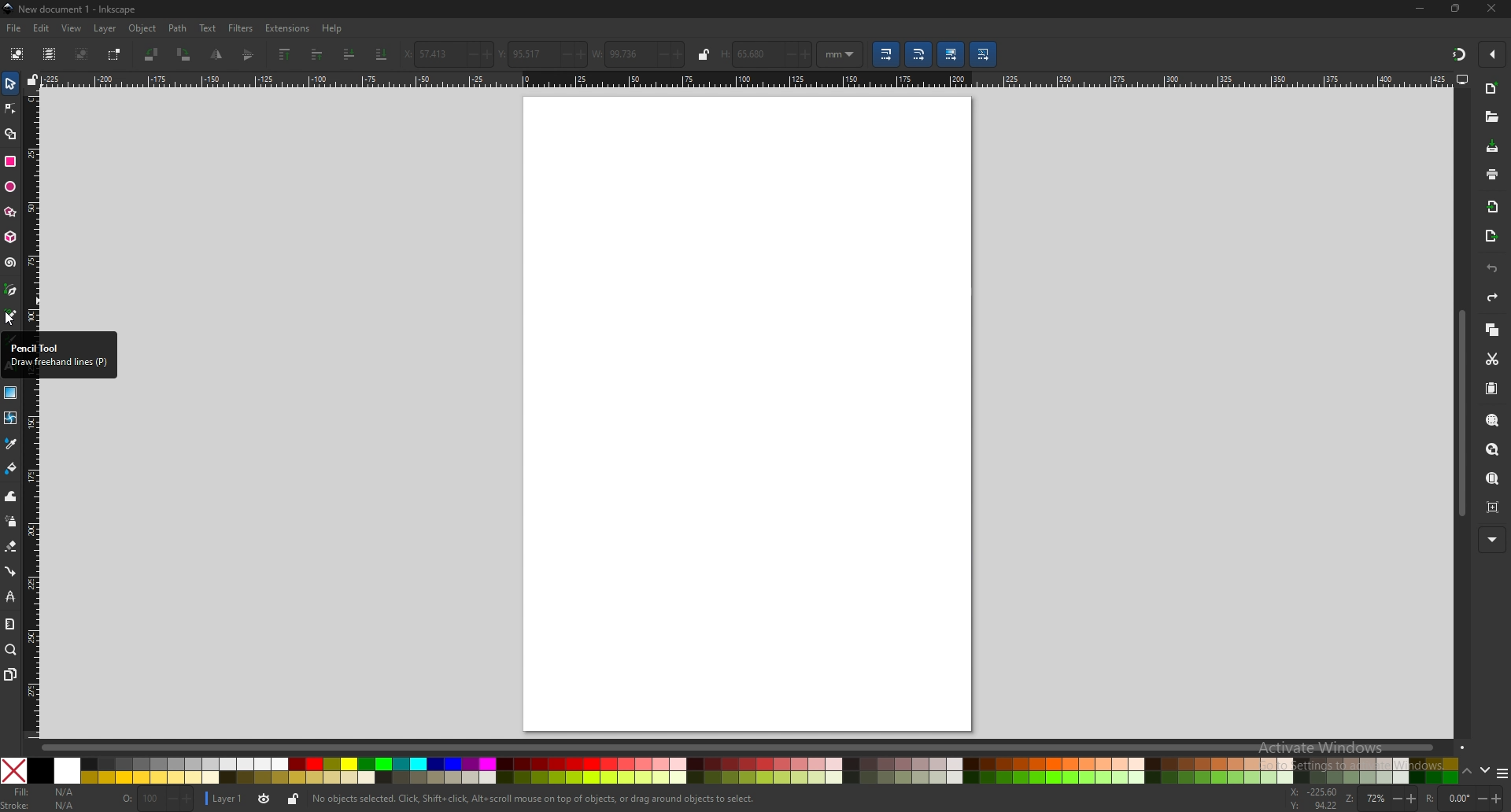  What do you see at coordinates (142, 28) in the screenshot?
I see `object` at bounding box center [142, 28].